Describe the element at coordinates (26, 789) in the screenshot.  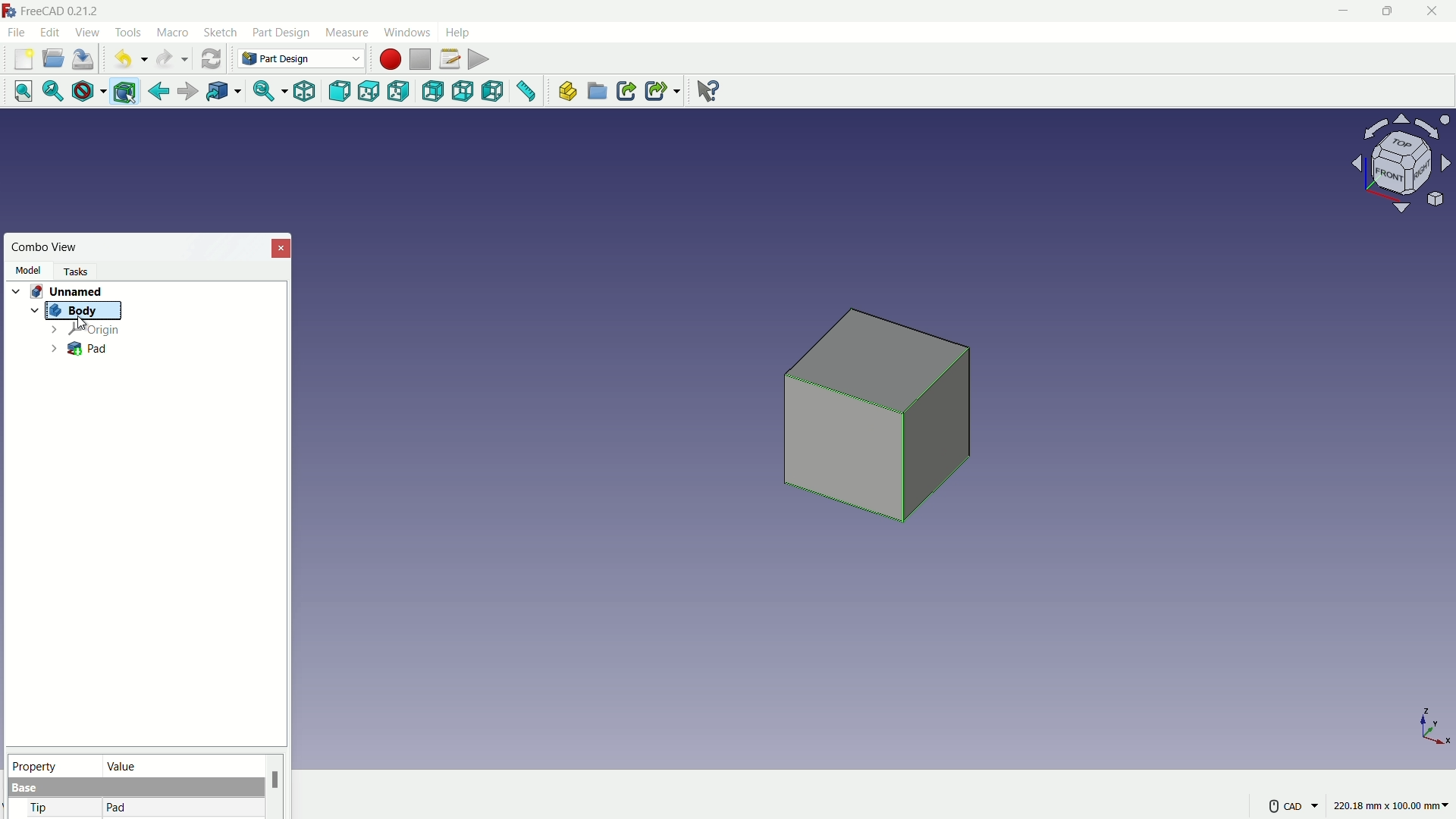
I see `base` at that location.